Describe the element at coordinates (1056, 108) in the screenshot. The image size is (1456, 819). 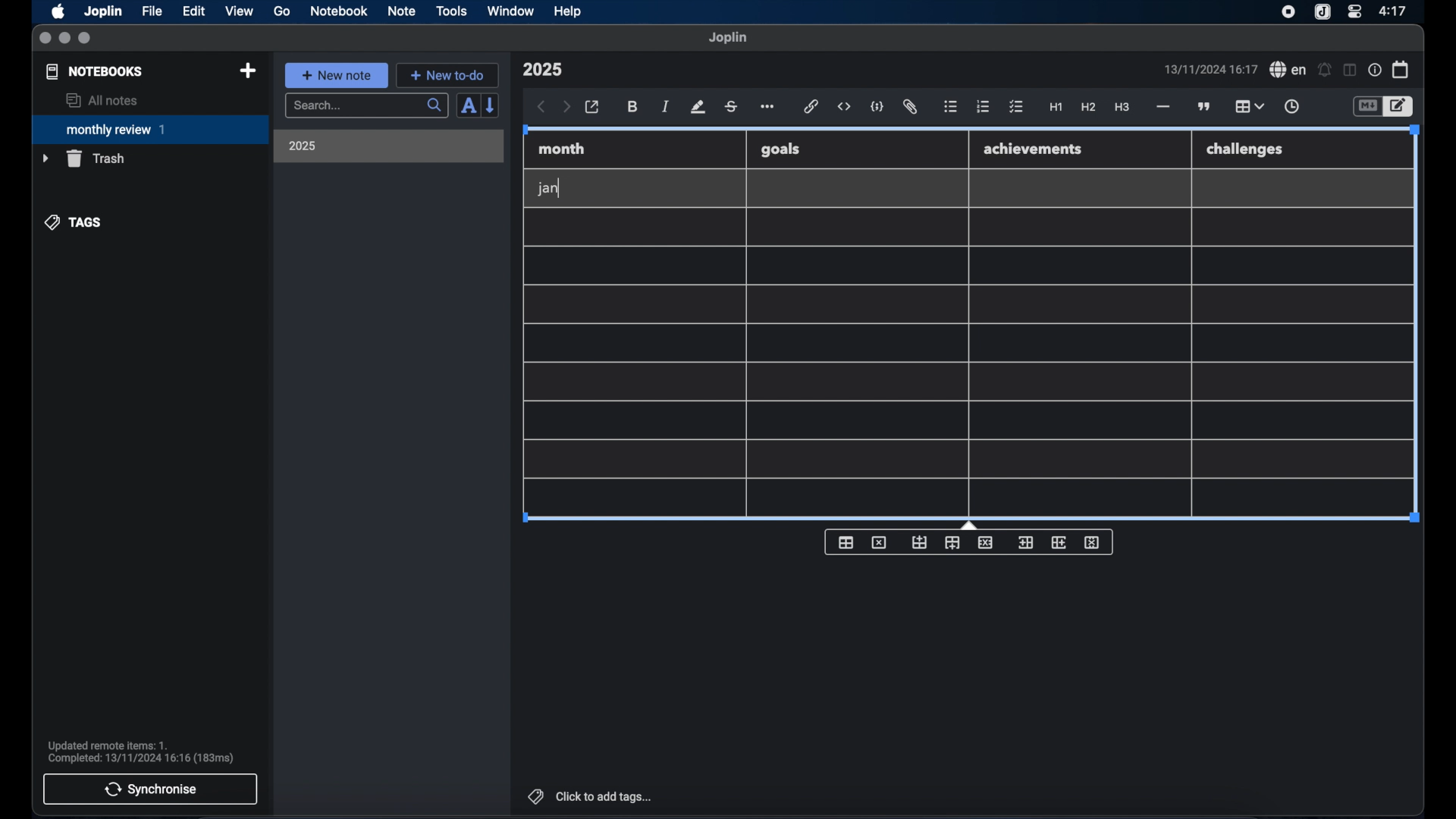
I see `heading 1` at that location.